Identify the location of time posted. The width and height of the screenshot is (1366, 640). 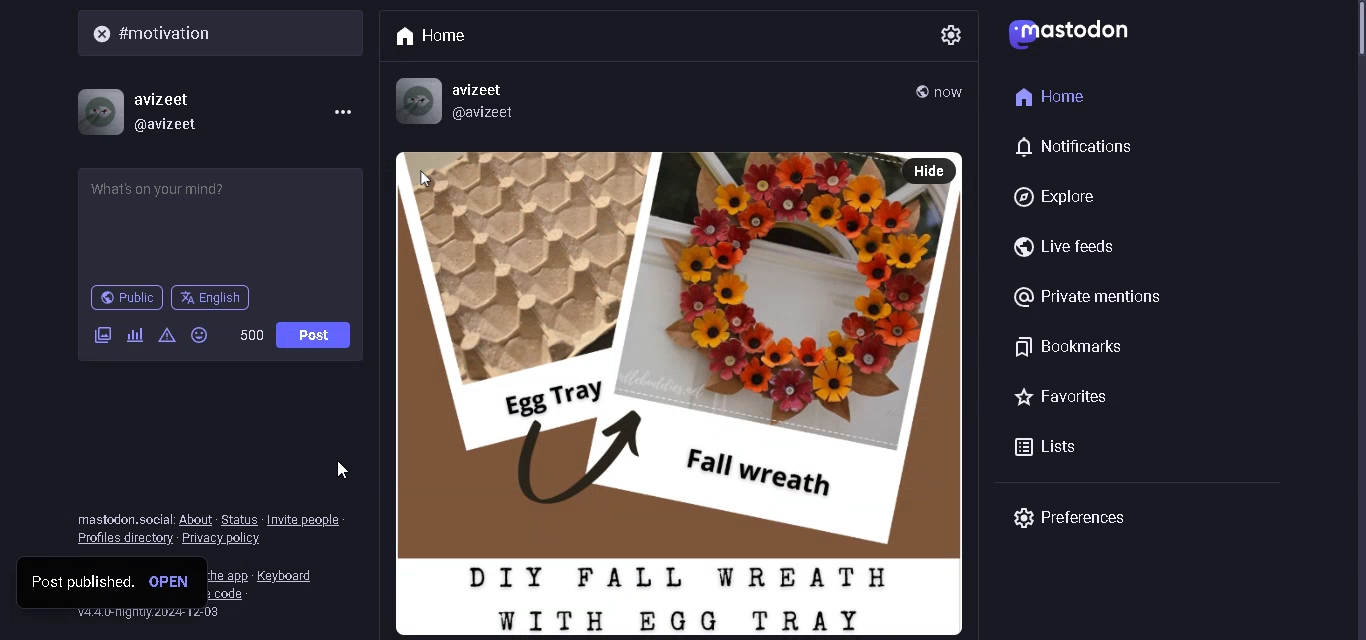
(950, 91).